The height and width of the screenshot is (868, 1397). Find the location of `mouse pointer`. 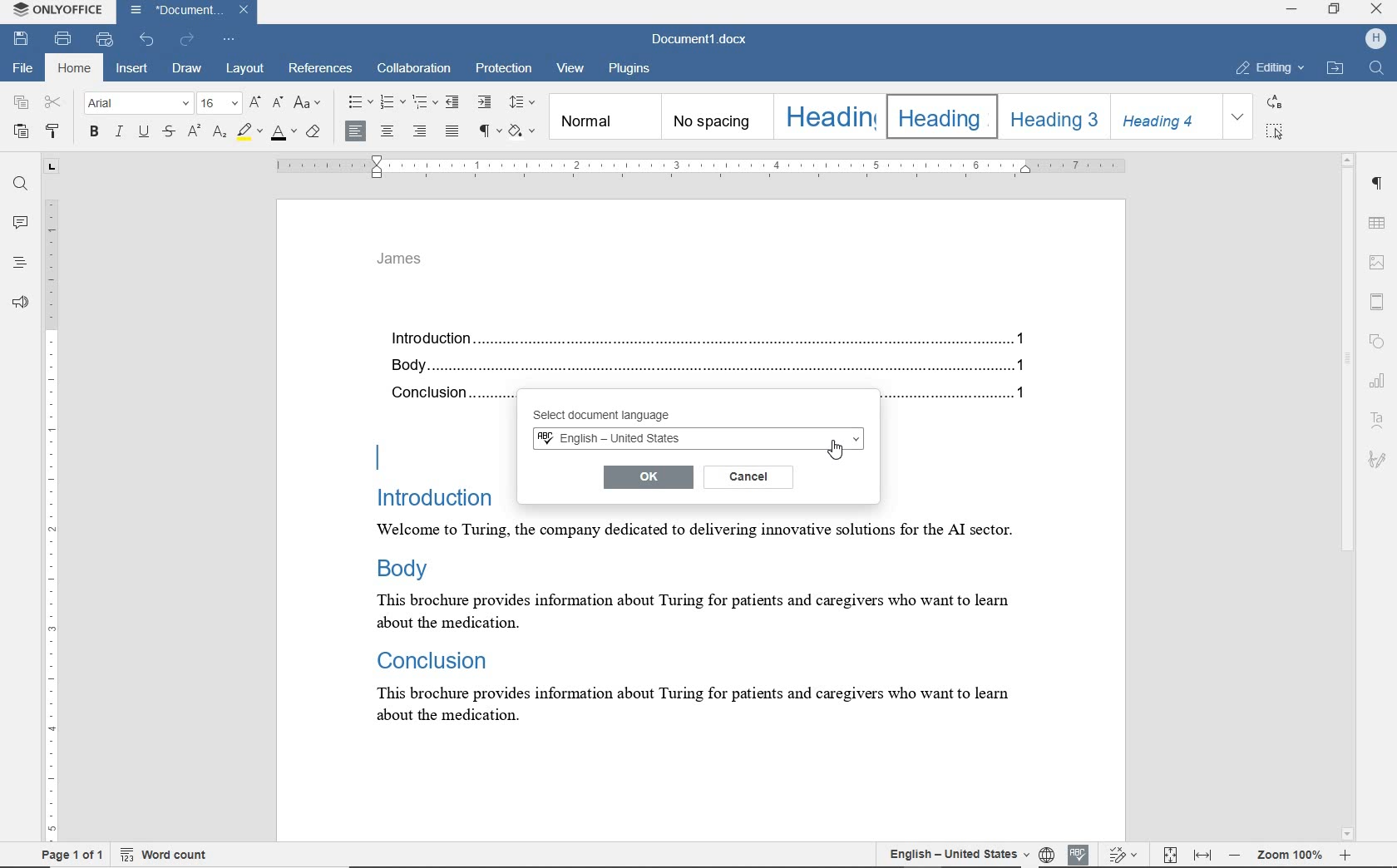

mouse pointer is located at coordinates (836, 446).